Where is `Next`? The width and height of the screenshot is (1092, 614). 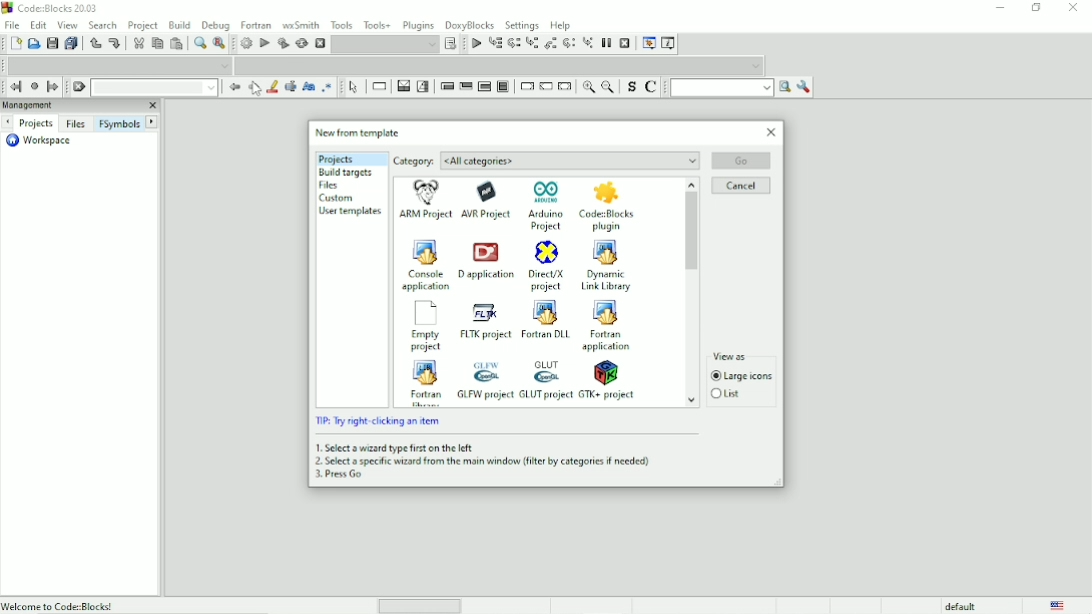 Next is located at coordinates (152, 121).